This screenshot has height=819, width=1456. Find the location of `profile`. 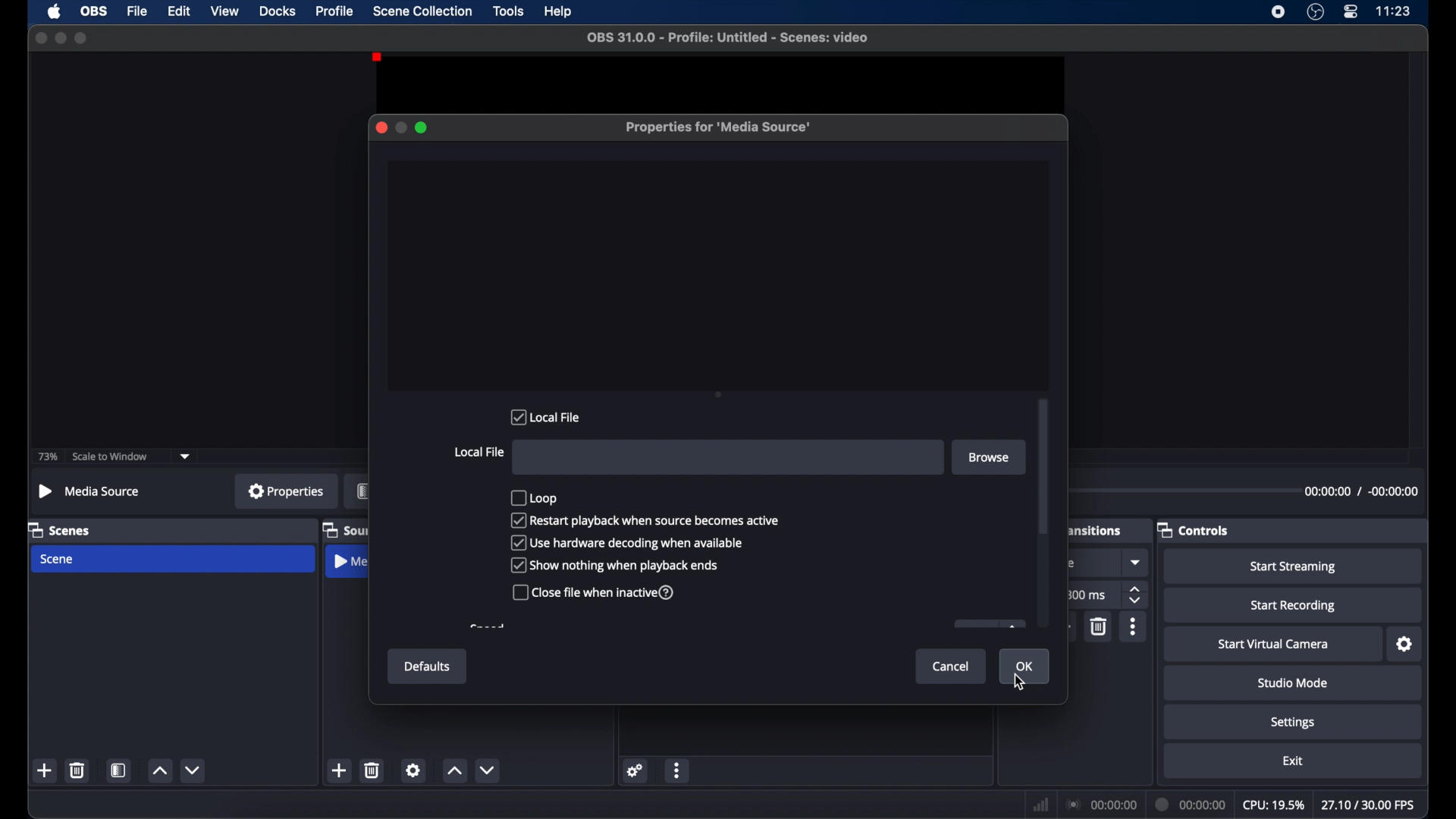

profile is located at coordinates (336, 11).